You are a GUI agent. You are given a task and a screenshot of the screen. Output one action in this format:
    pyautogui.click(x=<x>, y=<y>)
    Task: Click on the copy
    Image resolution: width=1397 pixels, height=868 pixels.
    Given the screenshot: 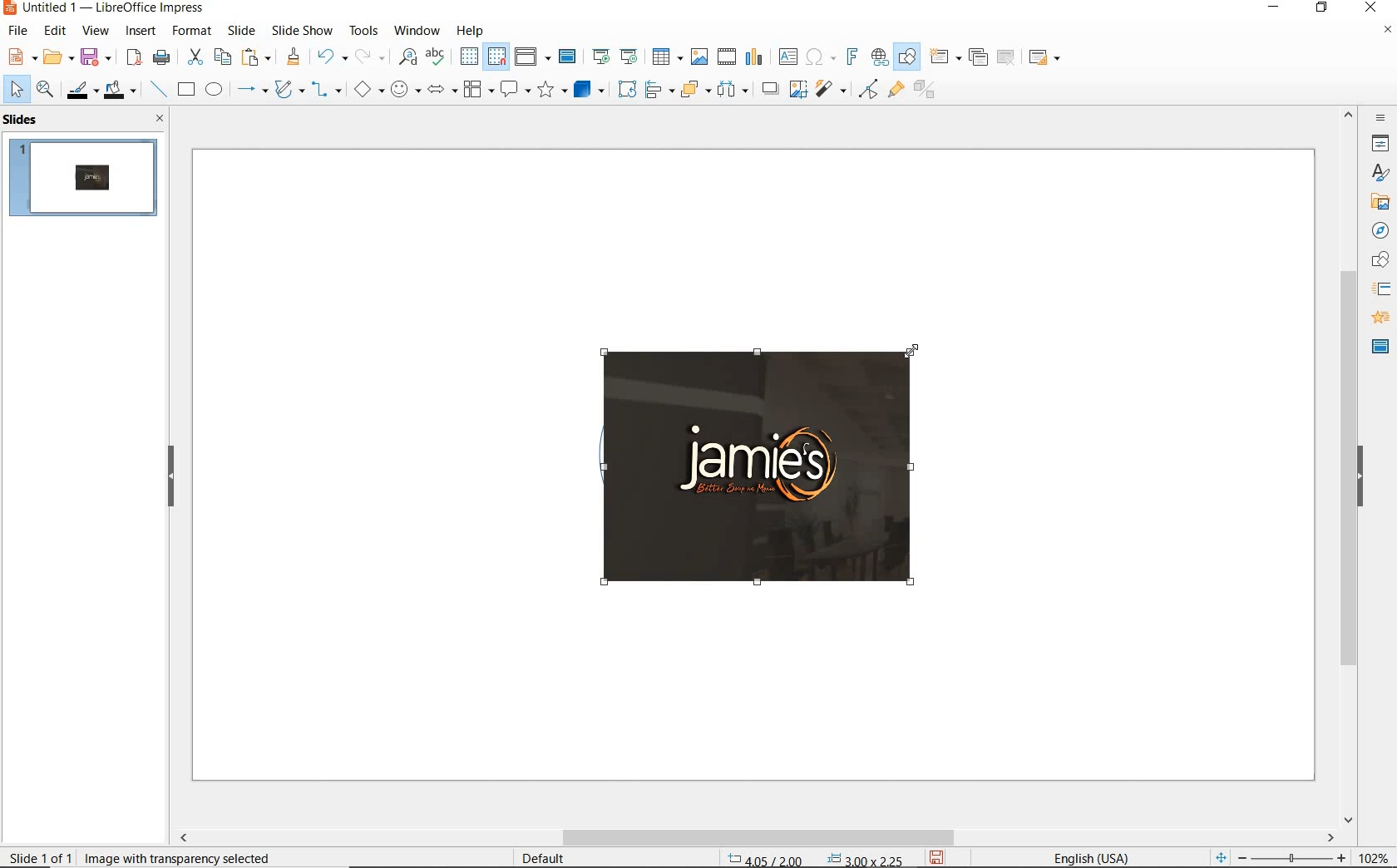 What is the action you would take?
    pyautogui.click(x=222, y=57)
    